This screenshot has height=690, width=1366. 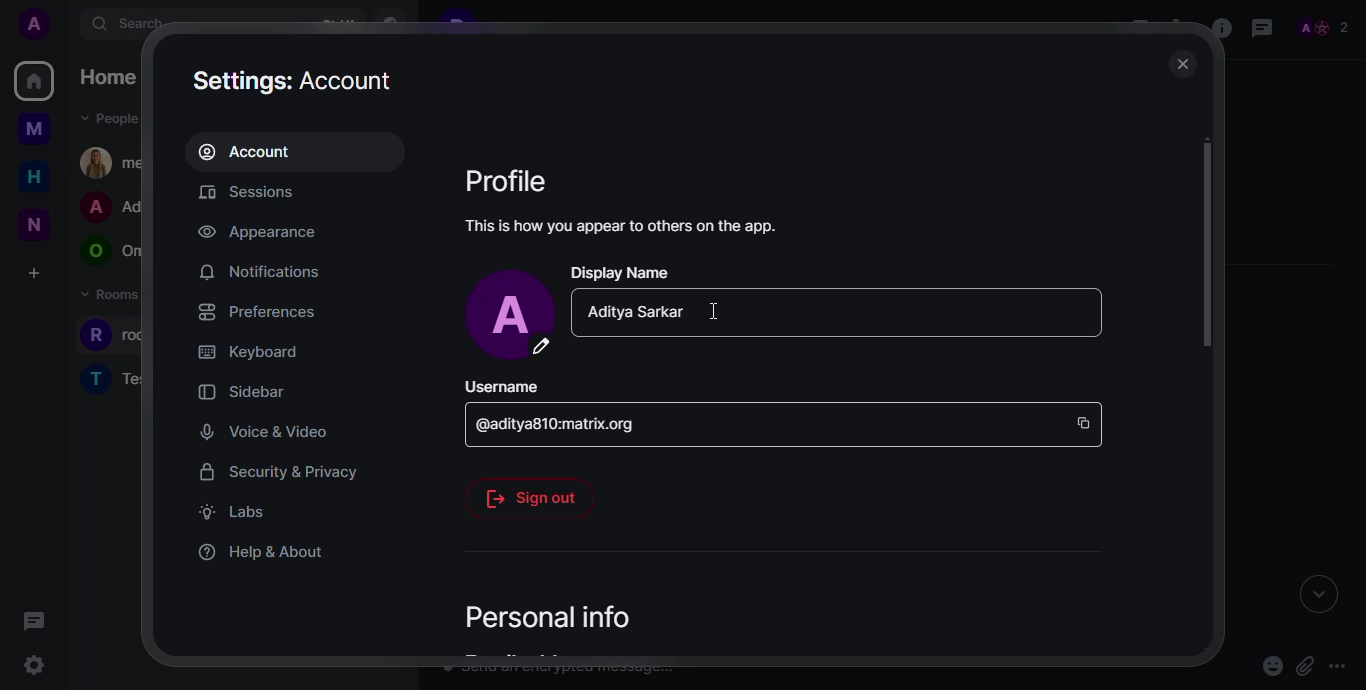 I want to click on sig out, so click(x=532, y=497).